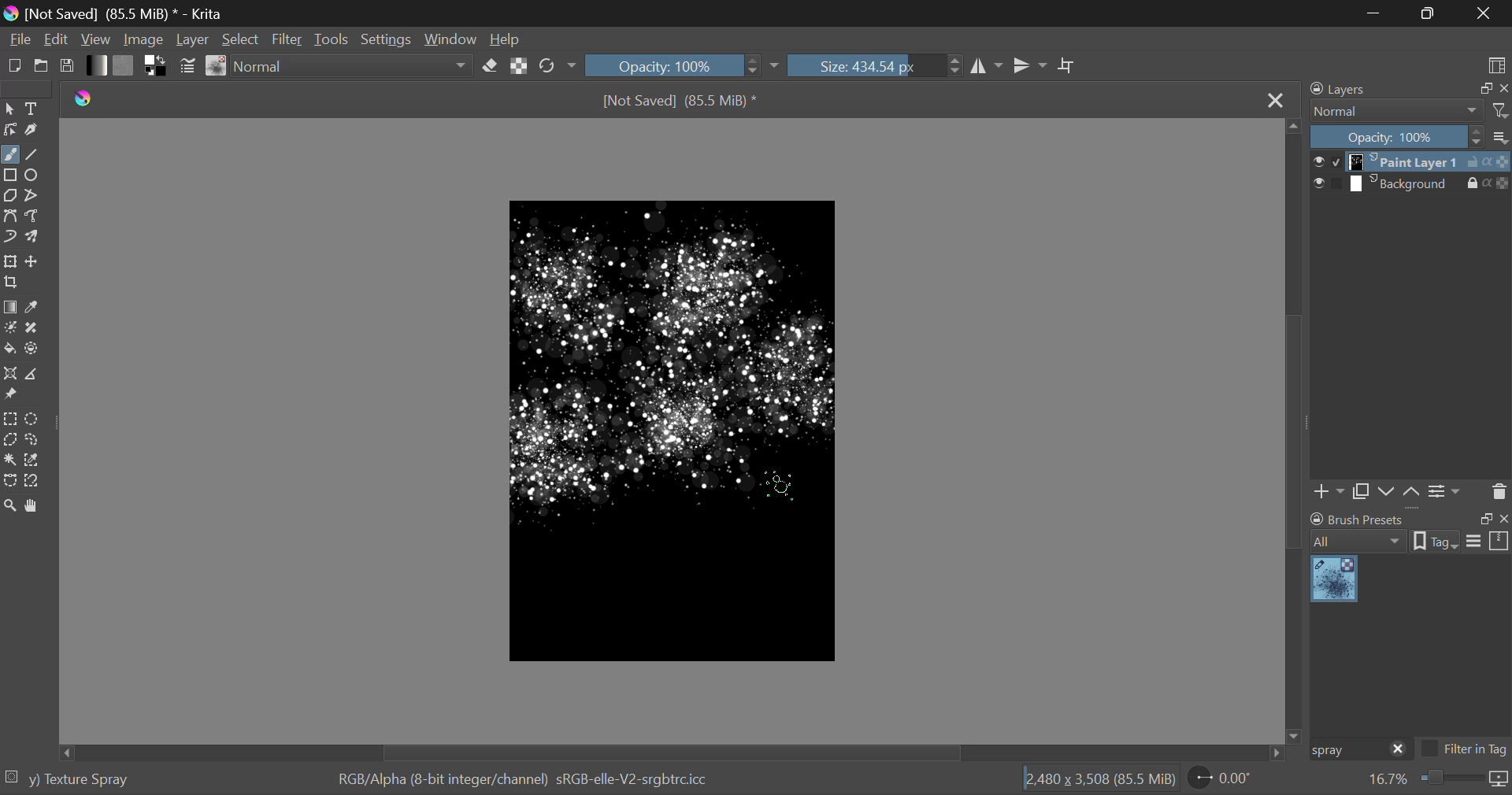 This screenshot has height=795, width=1512. What do you see at coordinates (1436, 543) in the screenshot?
I see `tag` at bounding box center [1436, 543].